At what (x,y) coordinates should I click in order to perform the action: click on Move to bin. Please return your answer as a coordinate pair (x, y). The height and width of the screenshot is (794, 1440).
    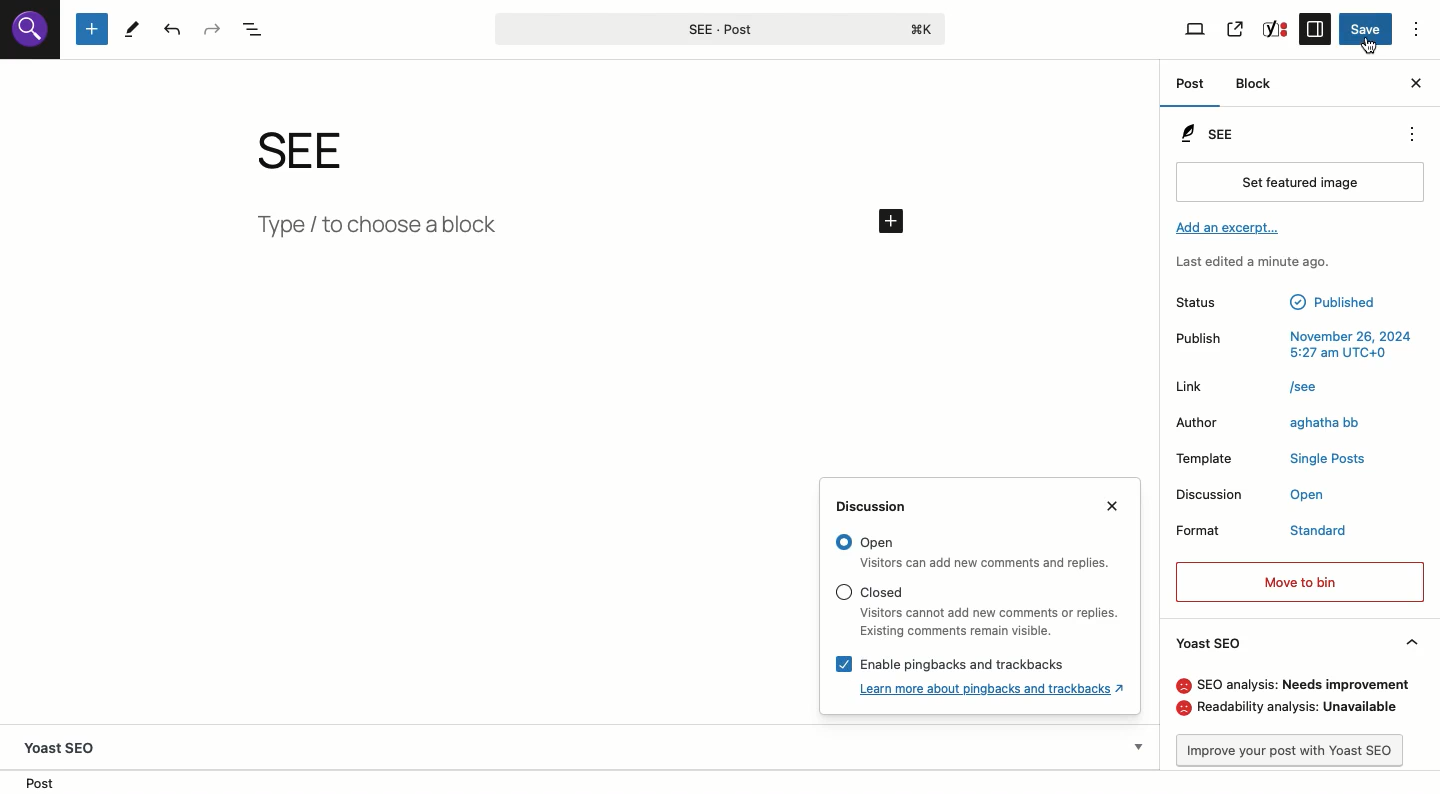
    Looking at the image, I should click on (1300, 580).